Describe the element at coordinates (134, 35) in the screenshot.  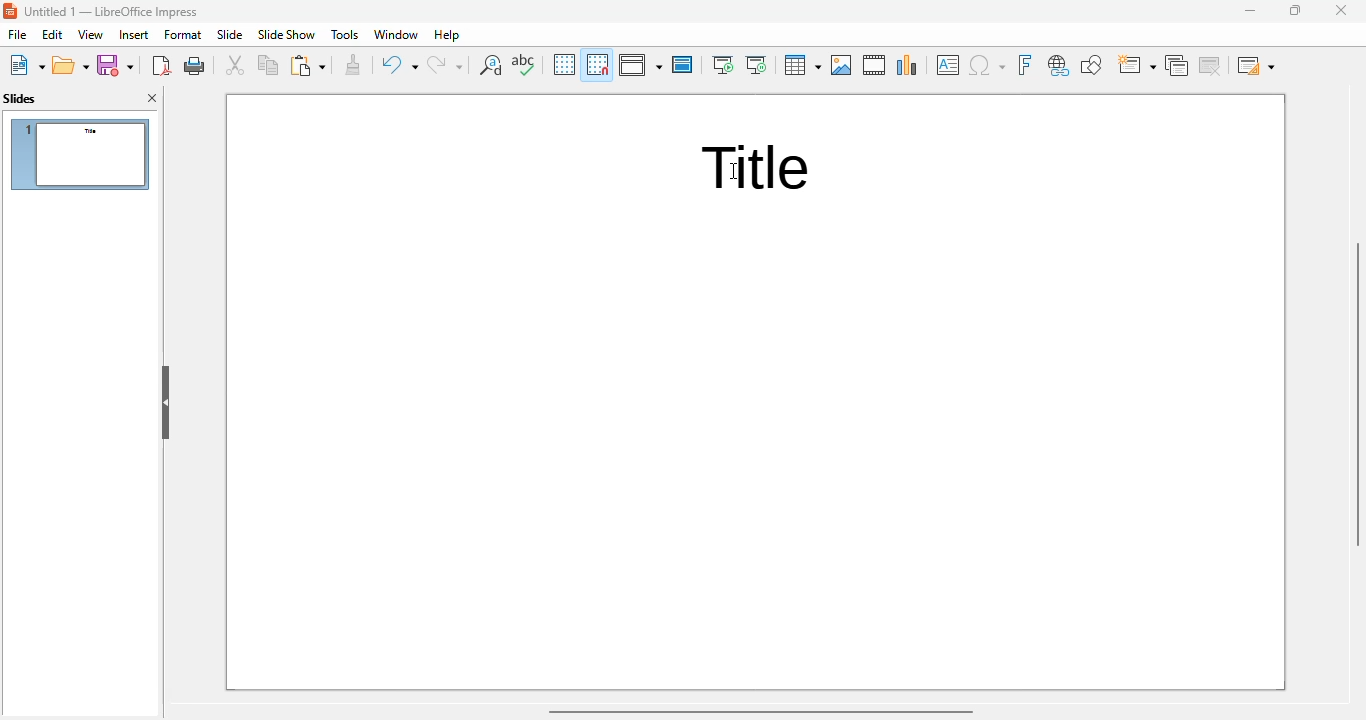
I see `insert` at that location.